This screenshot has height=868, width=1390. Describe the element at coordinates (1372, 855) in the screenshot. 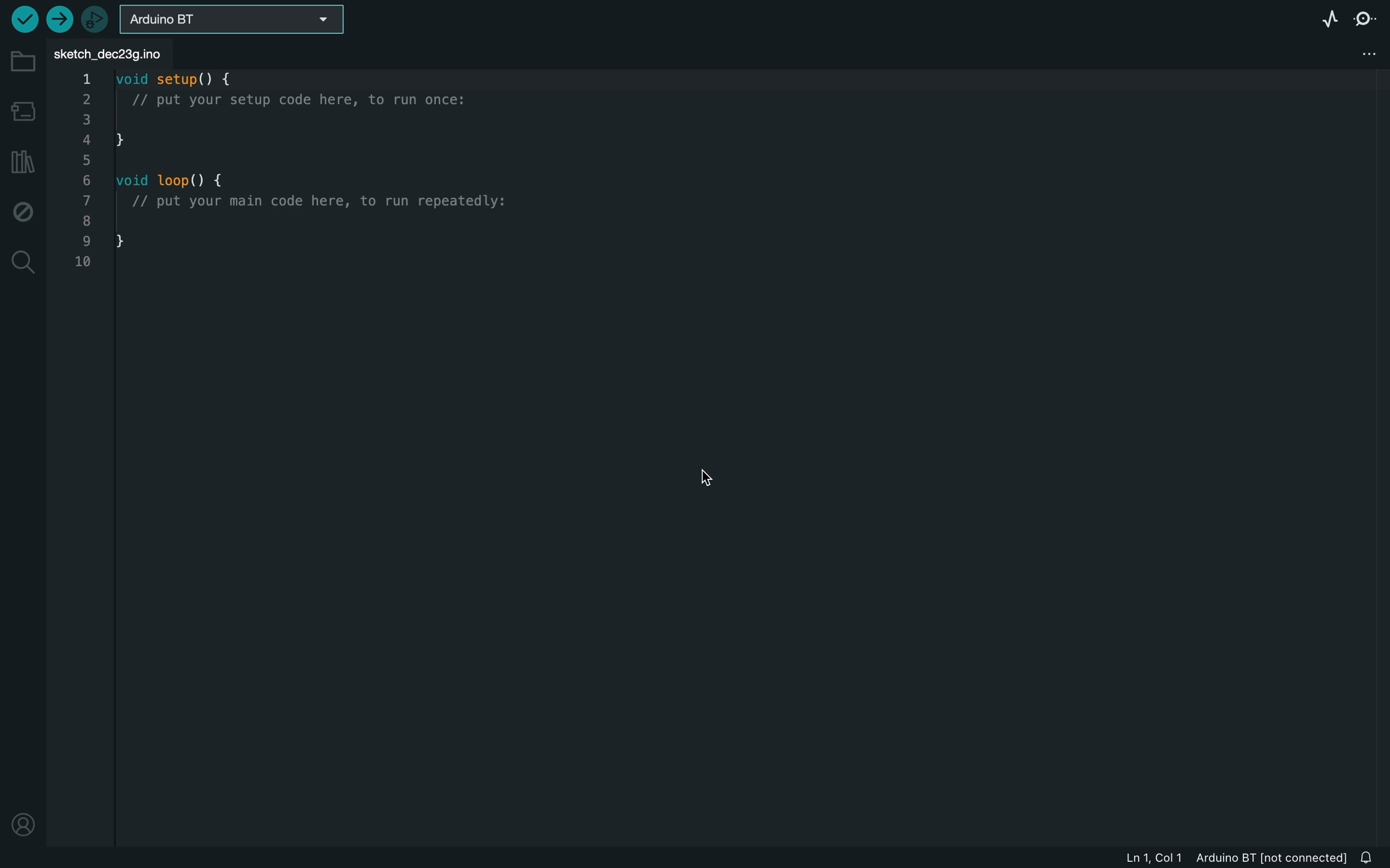

I see `notification` at that location.